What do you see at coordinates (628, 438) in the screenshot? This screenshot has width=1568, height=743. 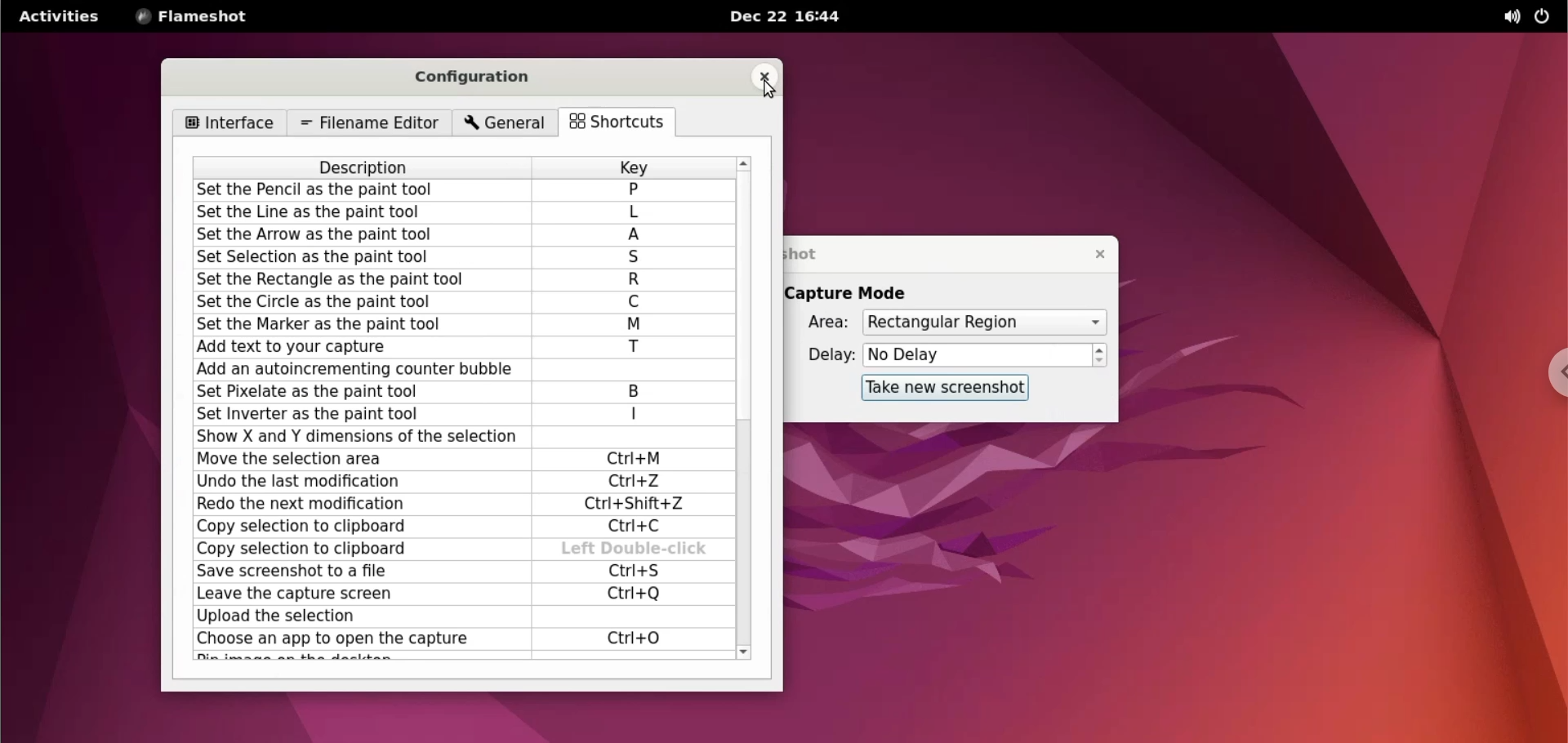 I see `enter shortcut textbox` at bounding box center [628, 438].